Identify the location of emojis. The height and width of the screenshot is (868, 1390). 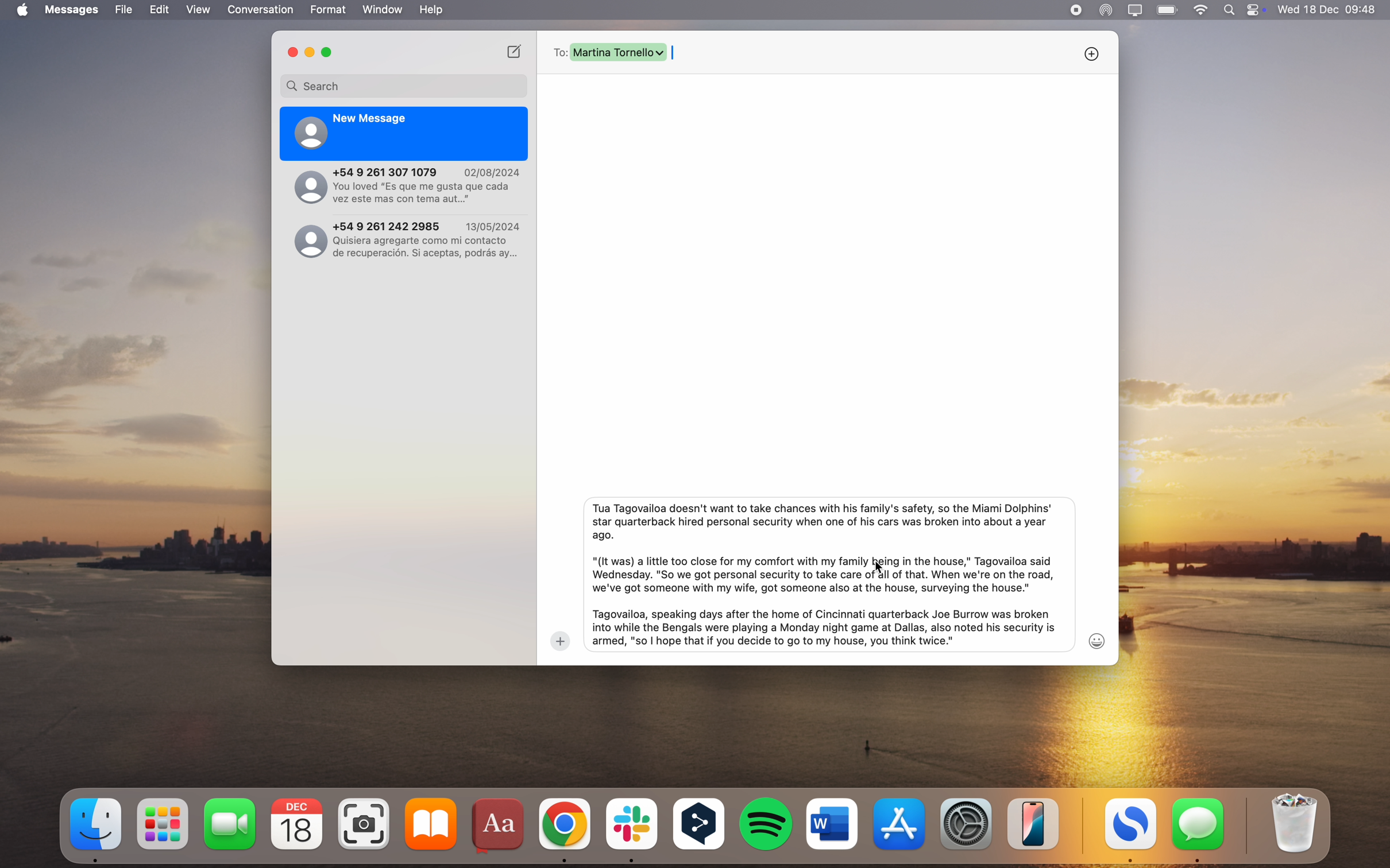
(1098, 641).